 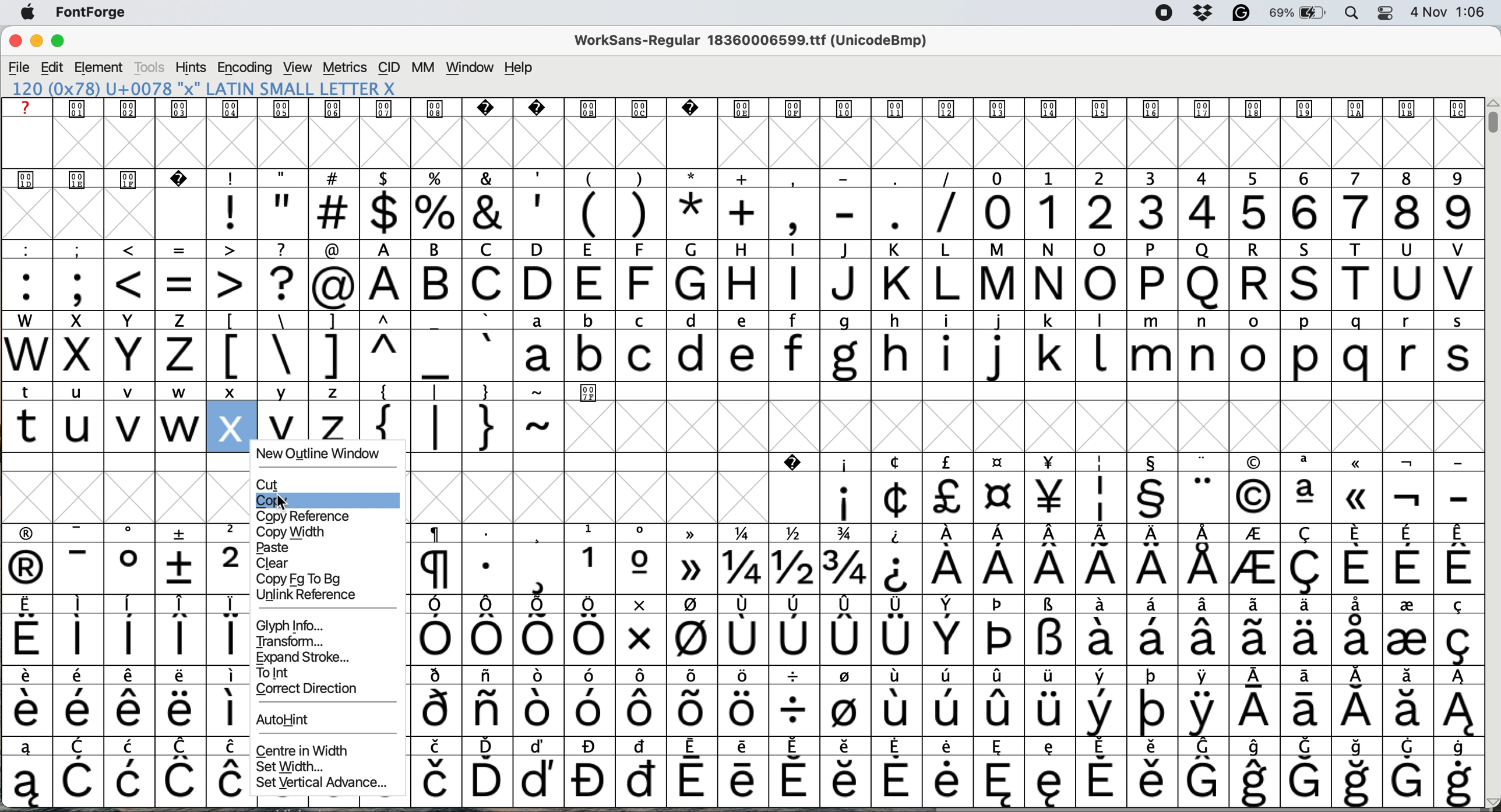 What do you see at coordinates (220, 89) in the screenshot?
I see `120 (0x78) U+0078 "x" LATIN SMALL LETTER X` at bounding box center [220, 89].